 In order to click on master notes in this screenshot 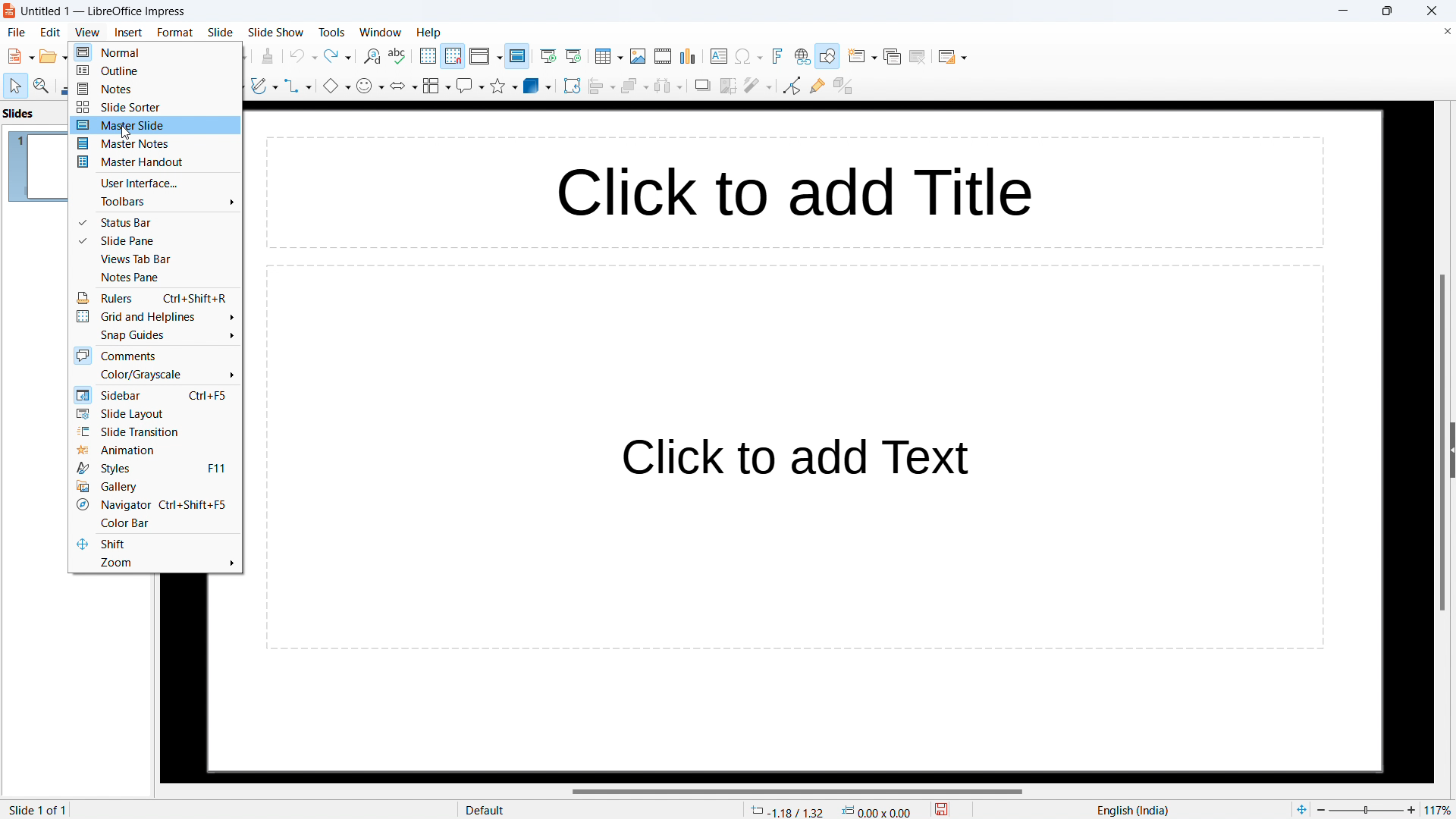, I will do `click(155, 144)`.